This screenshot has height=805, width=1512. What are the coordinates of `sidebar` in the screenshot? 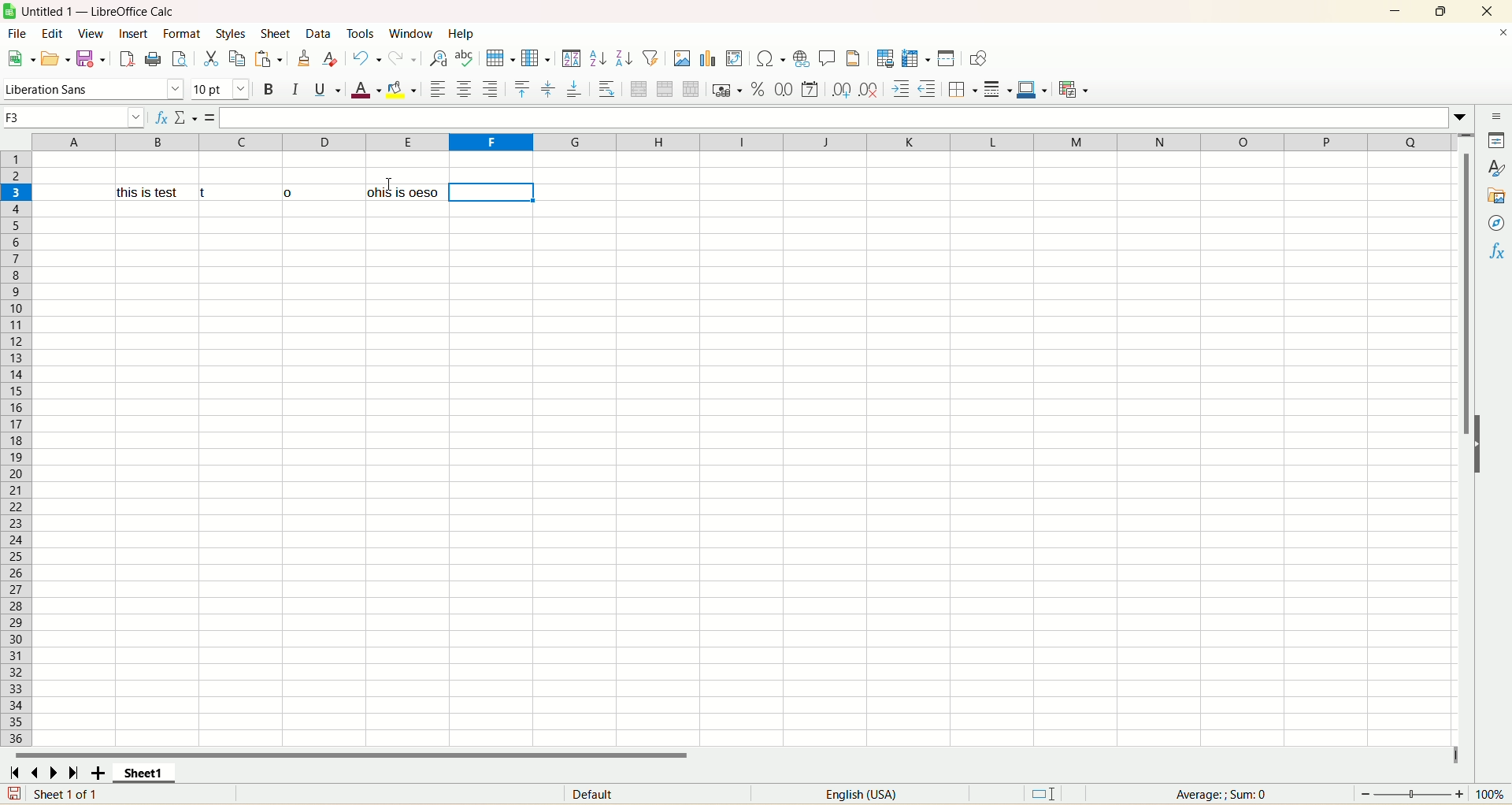 It's located at (1499, 117).